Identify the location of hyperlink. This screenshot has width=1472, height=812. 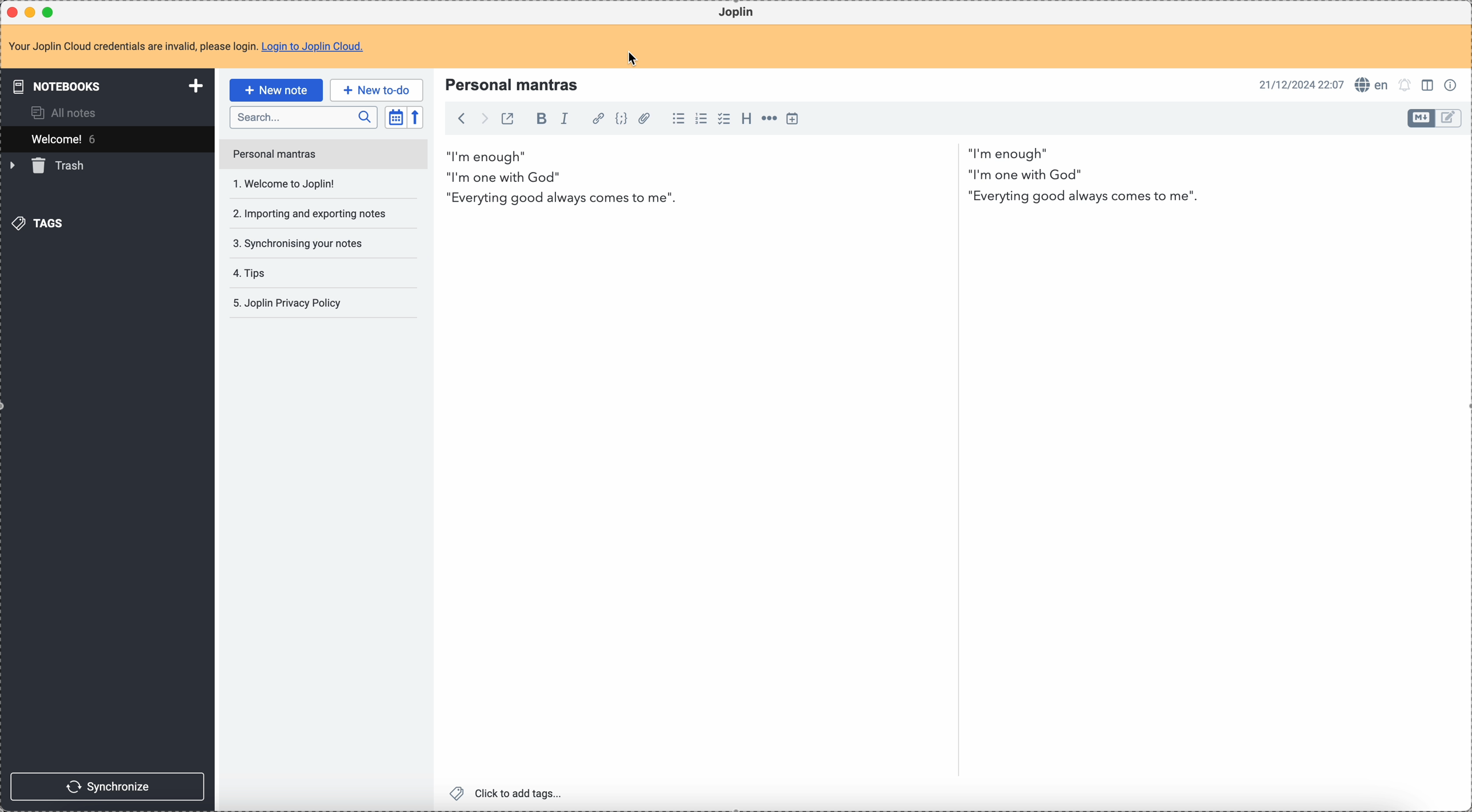
(596, 119).